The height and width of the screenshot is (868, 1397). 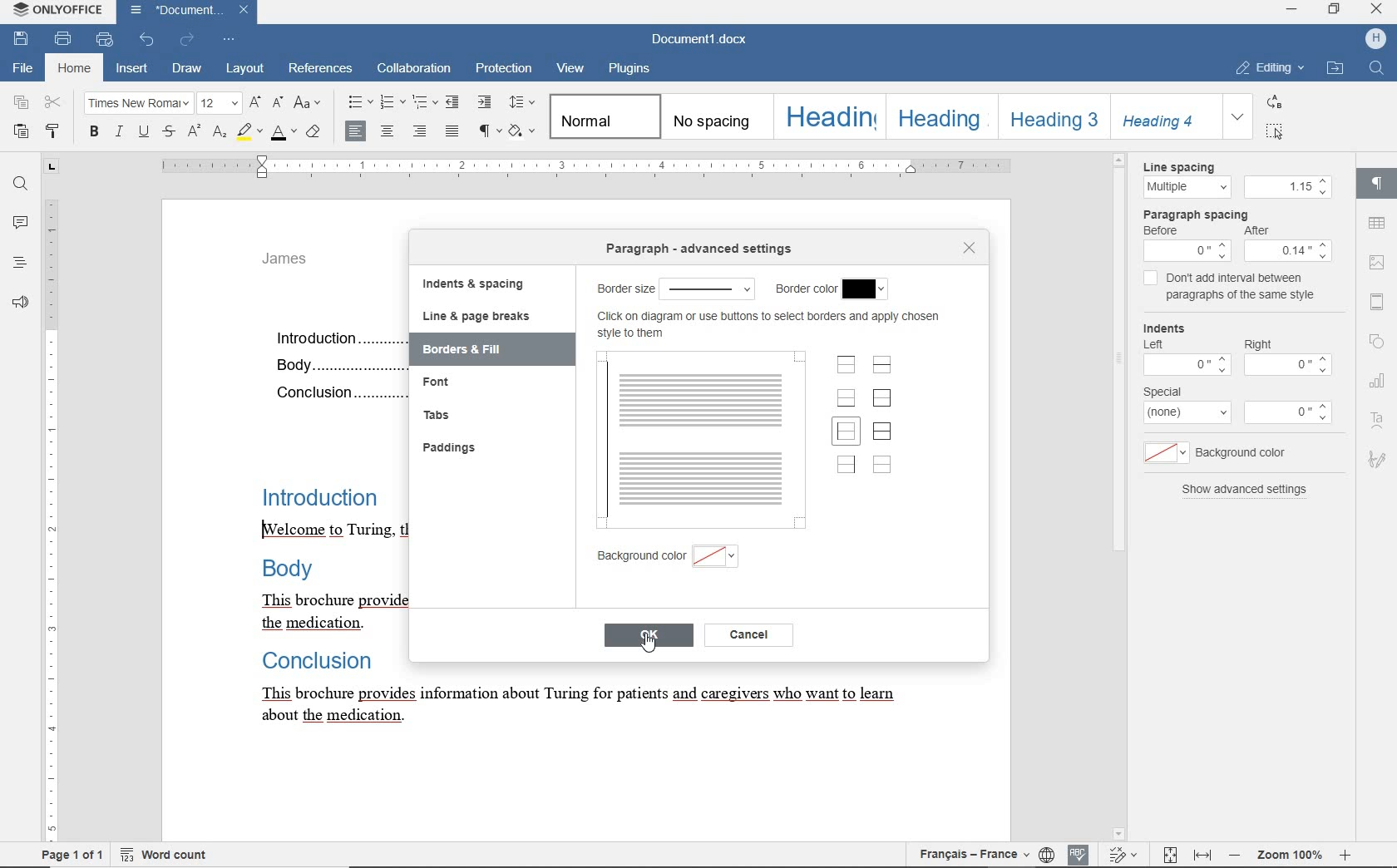 What do you see at coordinates (328, 662) in the screenshot?
I see `Conclusion` at bounding box center [328, 662].